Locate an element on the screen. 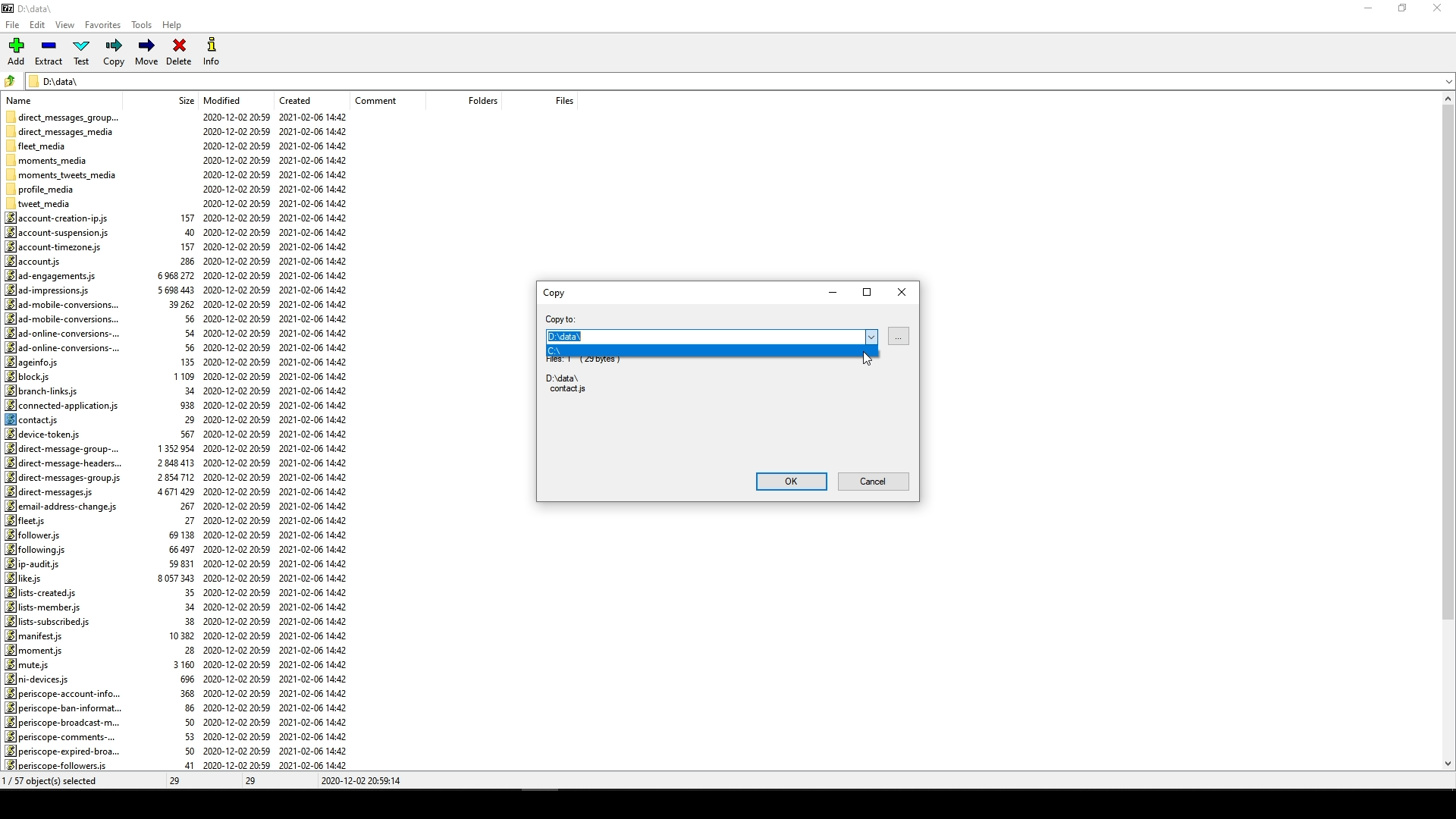 This screenshot has width=1456, height=819. fleet.js is located at coordinates (28, 520).